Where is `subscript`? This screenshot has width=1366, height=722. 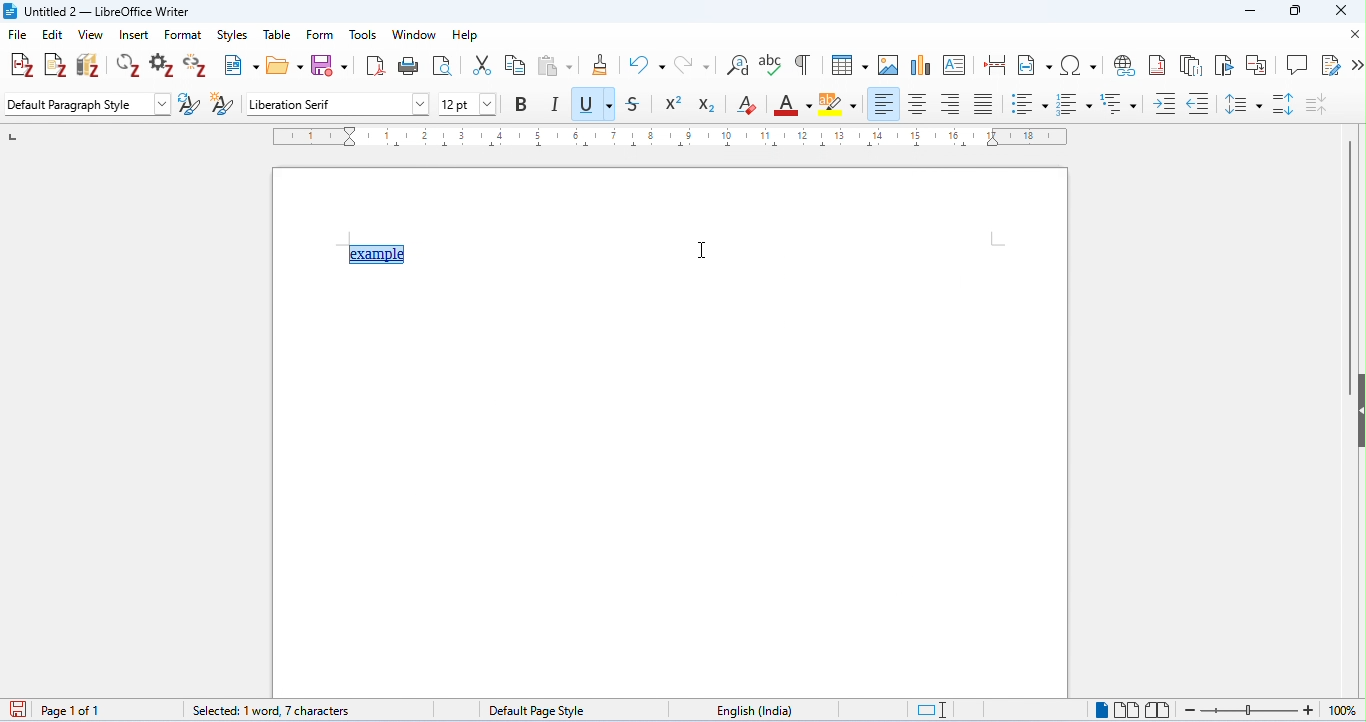 subscript is located at coordinates (709, 104).